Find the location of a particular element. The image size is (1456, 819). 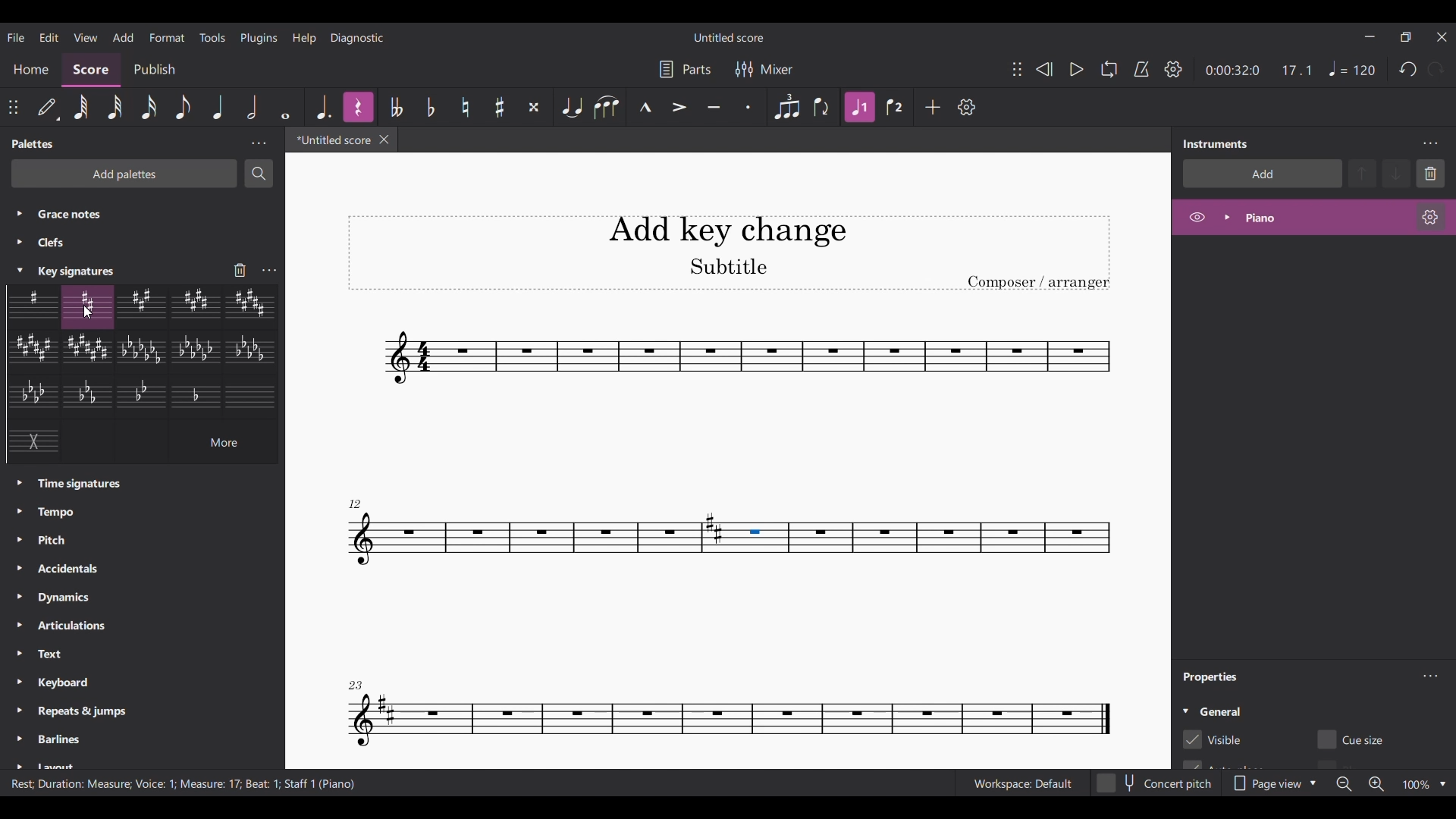

Mixer is located at coordinates (763, 69).